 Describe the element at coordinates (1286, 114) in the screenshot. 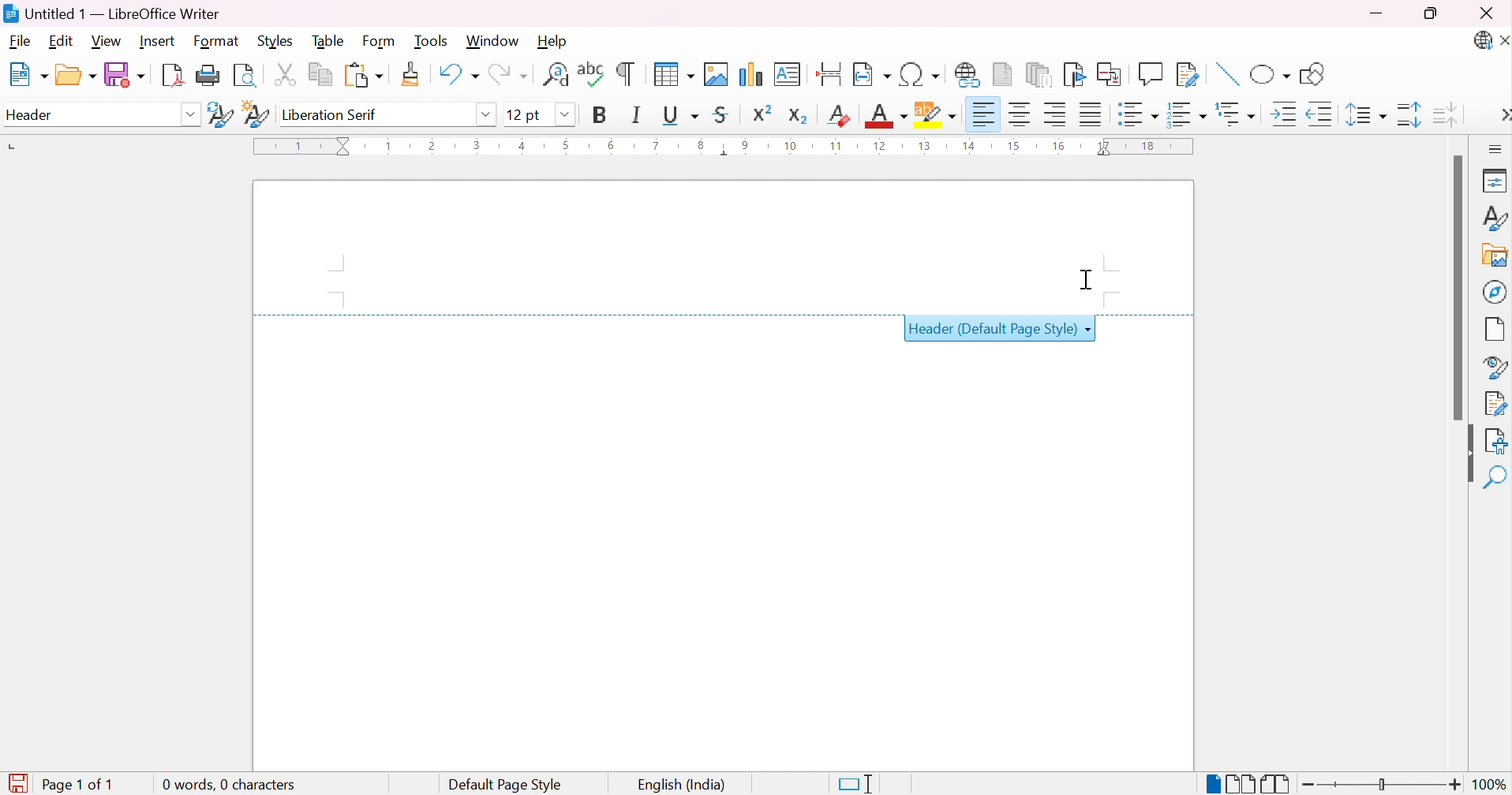

I see `Increase indent` at that location.